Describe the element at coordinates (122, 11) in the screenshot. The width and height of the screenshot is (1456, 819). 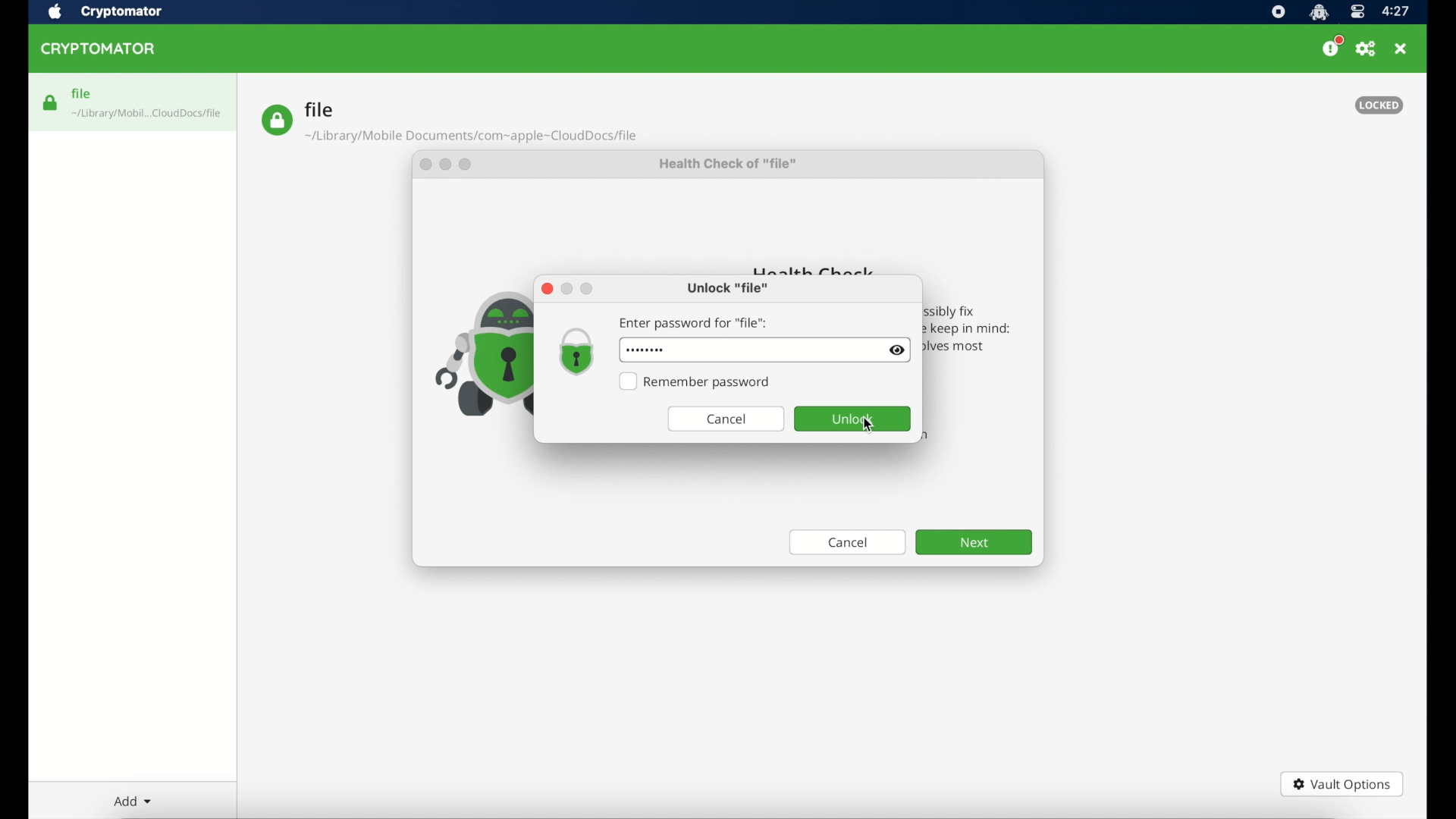
I see `cryptomator` at that location.